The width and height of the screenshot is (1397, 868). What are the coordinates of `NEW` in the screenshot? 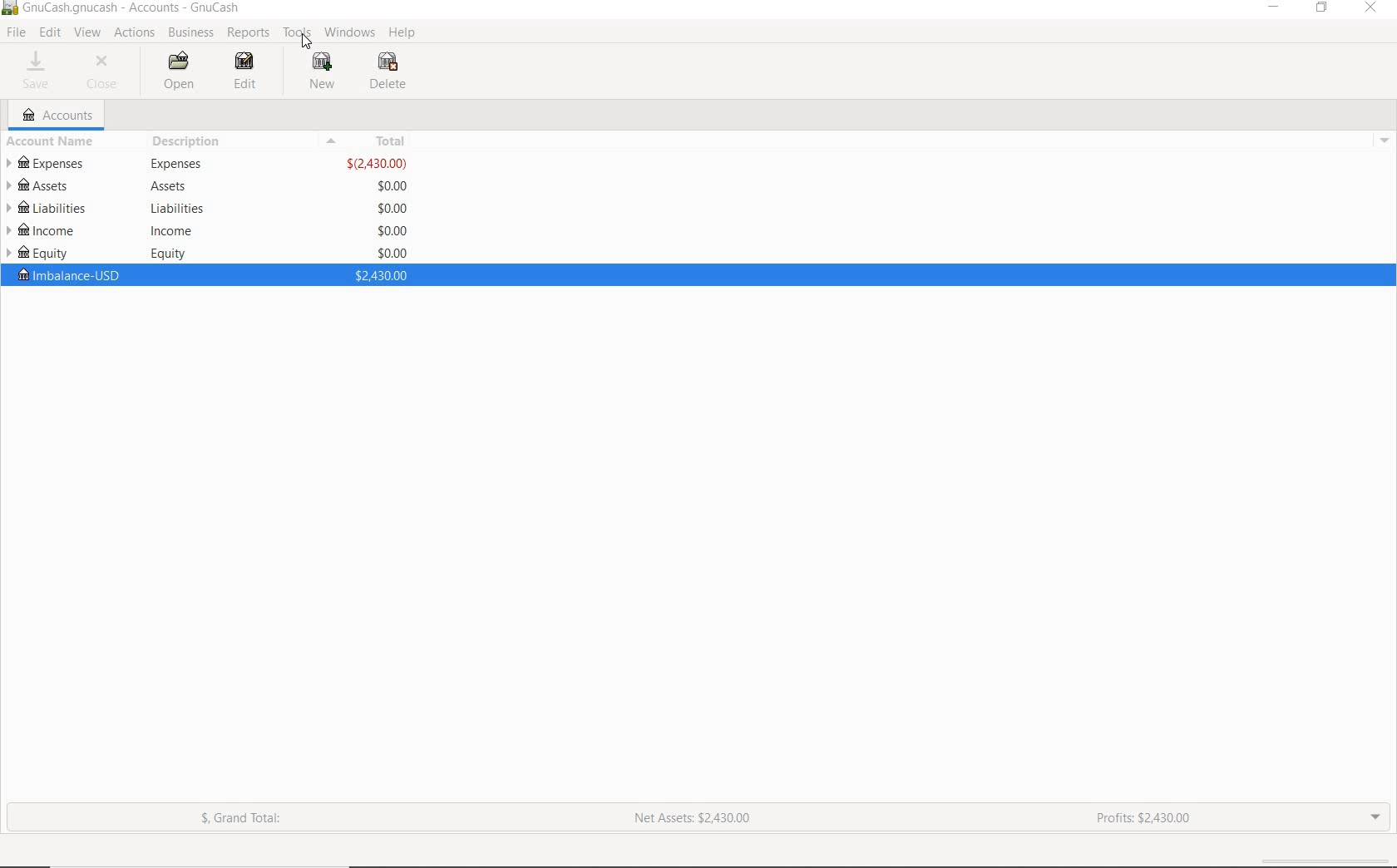 It's located at (323, 70).